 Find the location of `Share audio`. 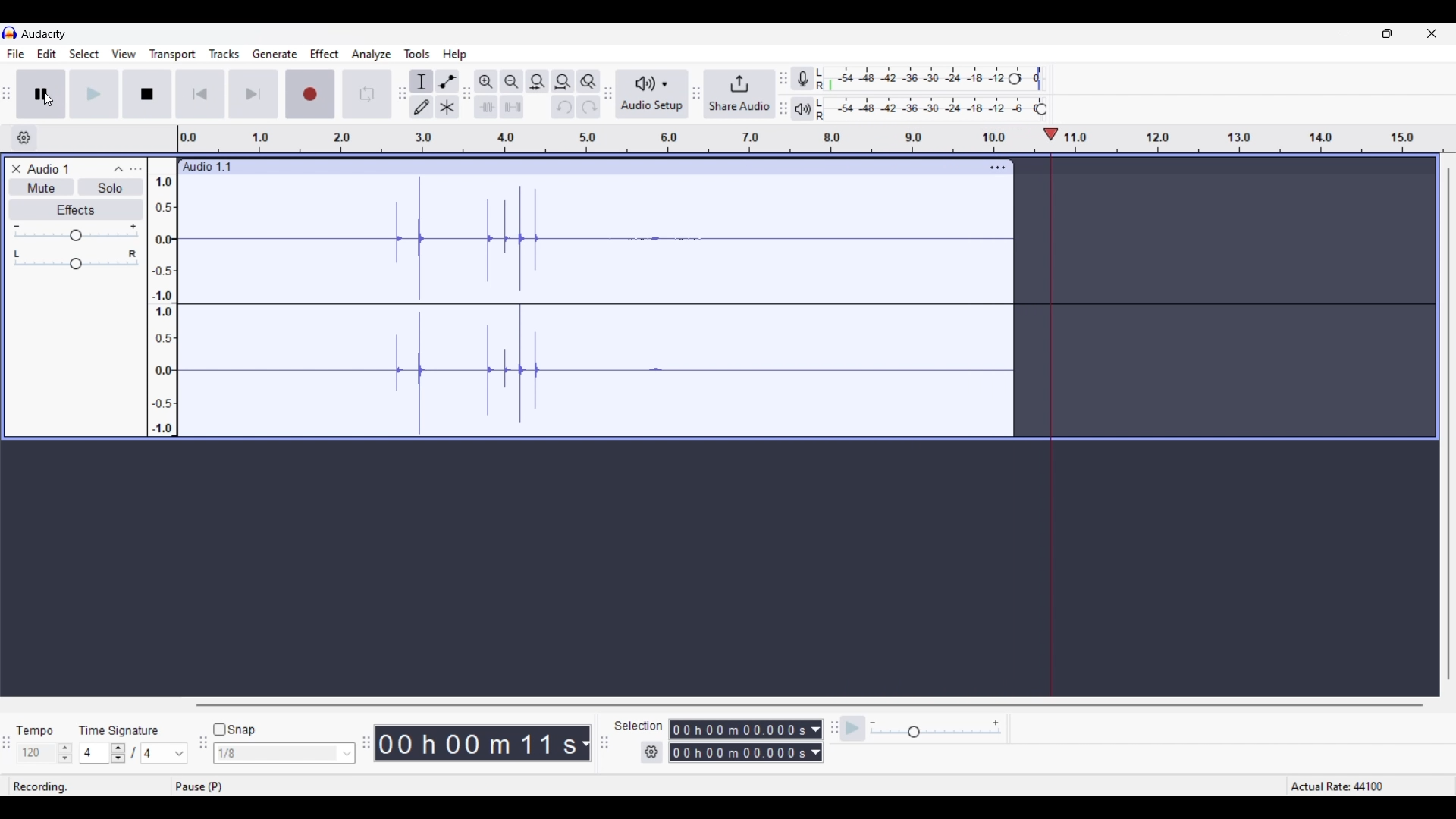

Share audio is located at coordinates (739, 94).